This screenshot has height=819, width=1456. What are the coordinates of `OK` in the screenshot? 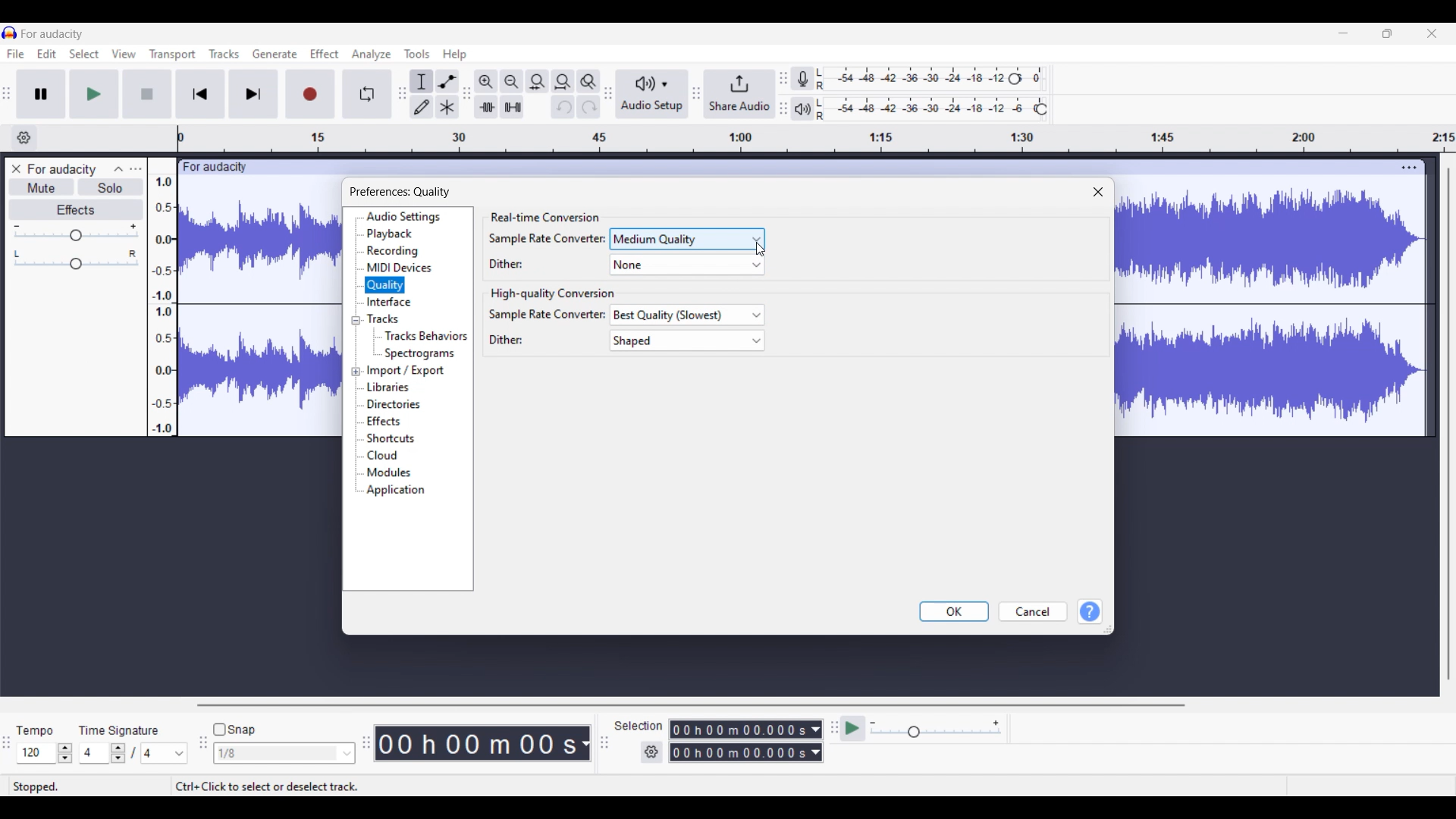 It's located at (954, 611).